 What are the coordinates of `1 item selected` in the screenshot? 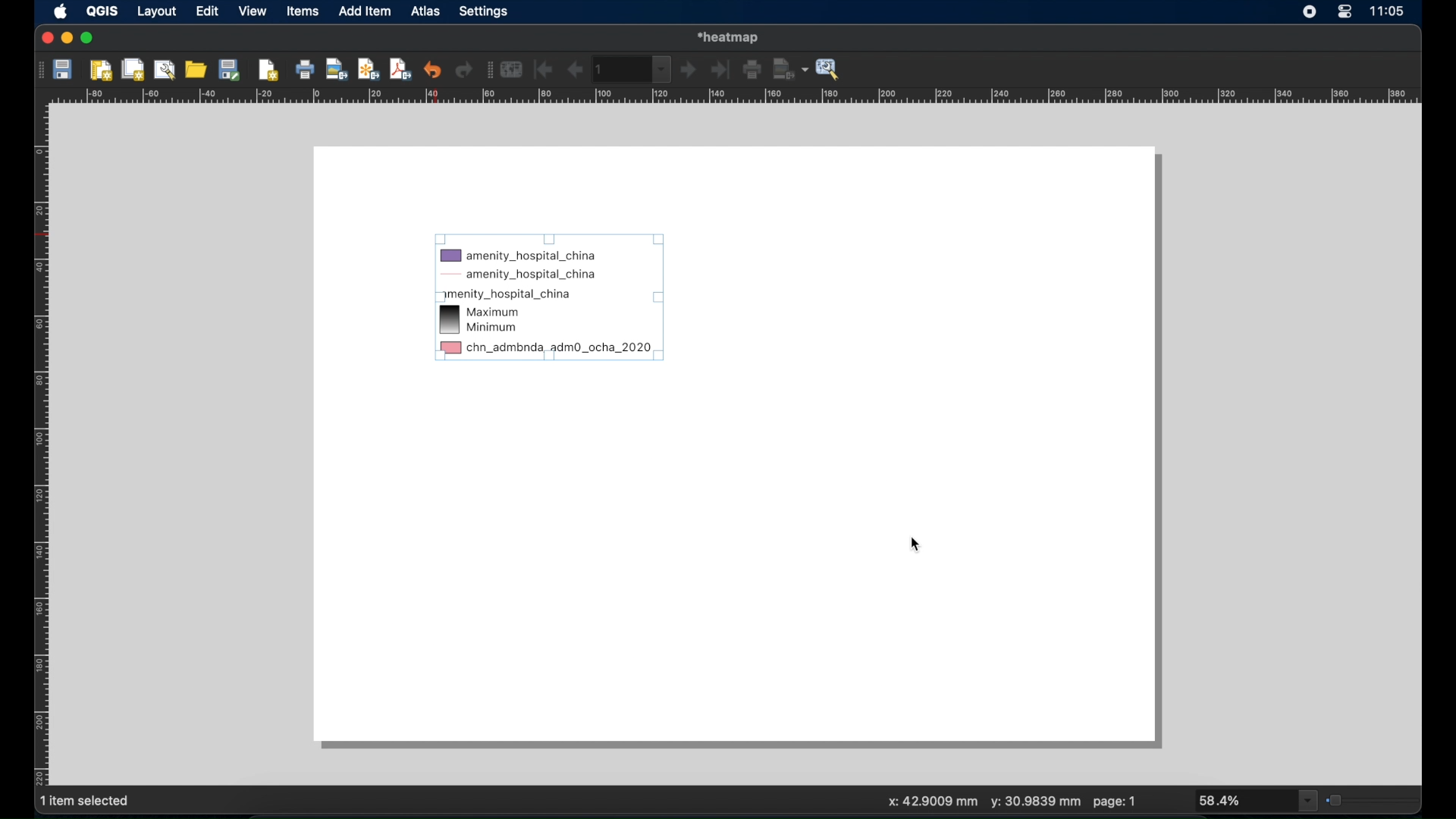 It's located at (85, 800).